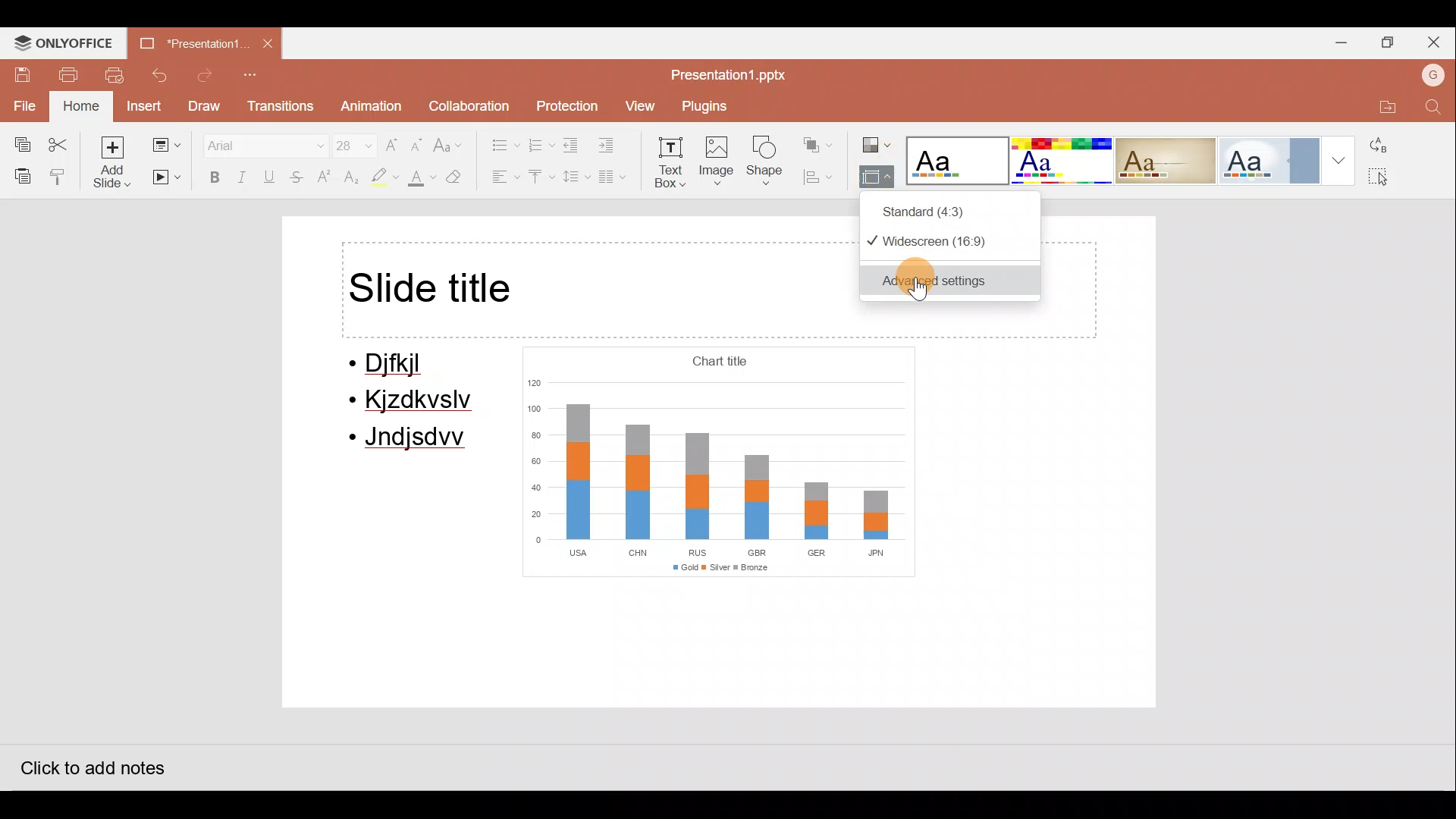  I want to click on Find, so click(1433, 108).